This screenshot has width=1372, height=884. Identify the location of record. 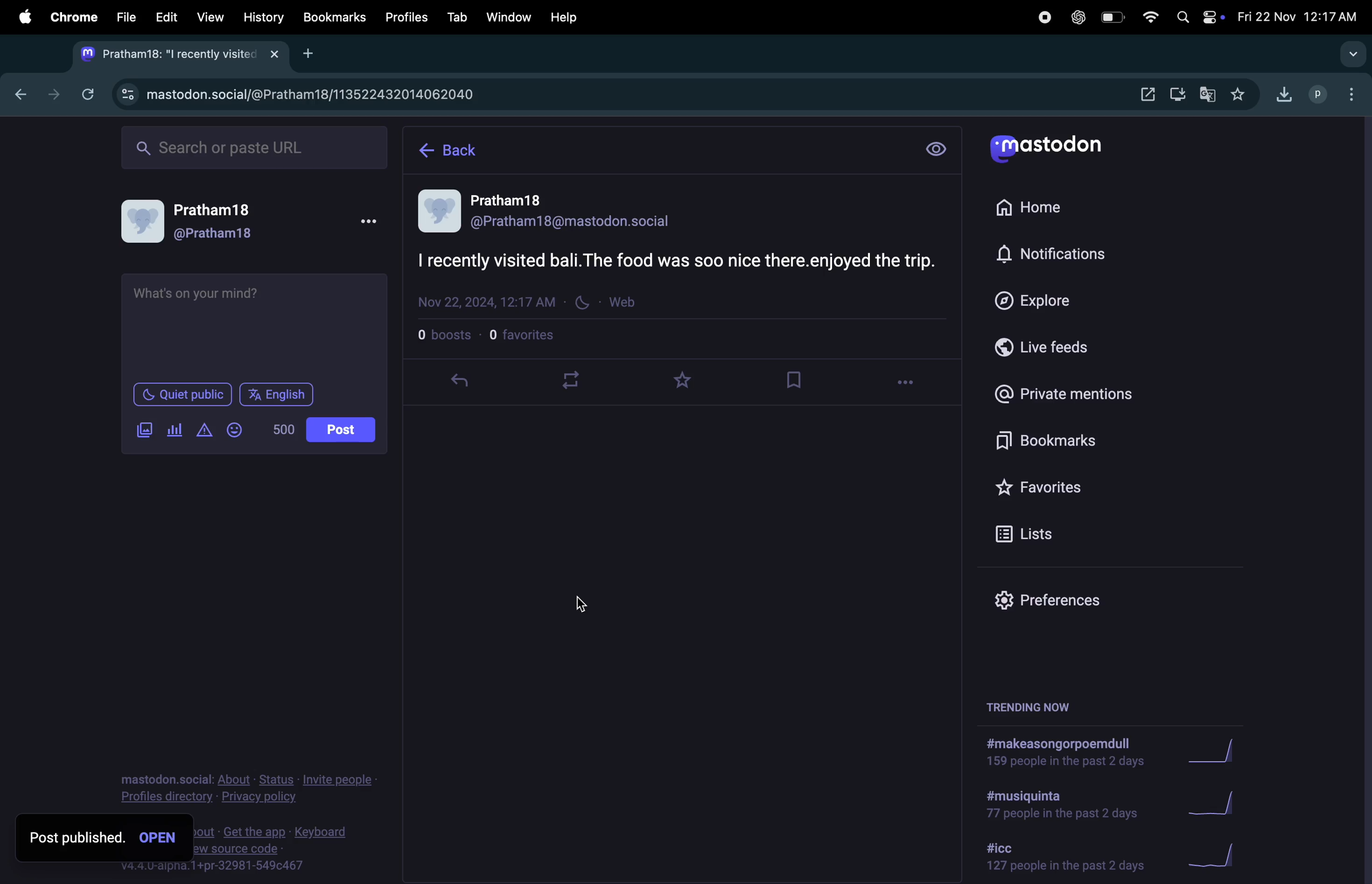
(1041, 18).